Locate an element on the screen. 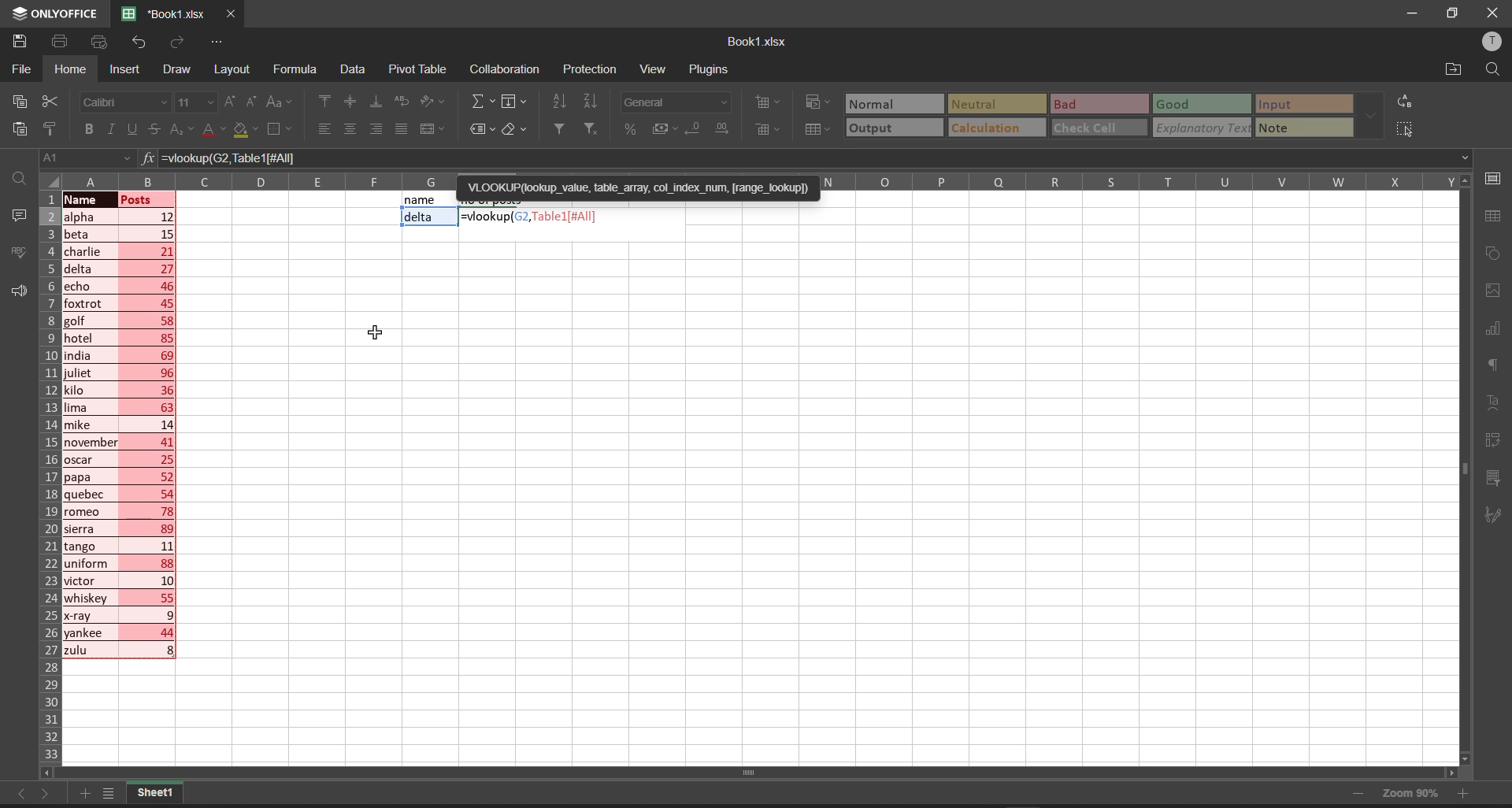 The width and height of the screenshot is (1512, 808). orientation is located at coordinates (436, 102).